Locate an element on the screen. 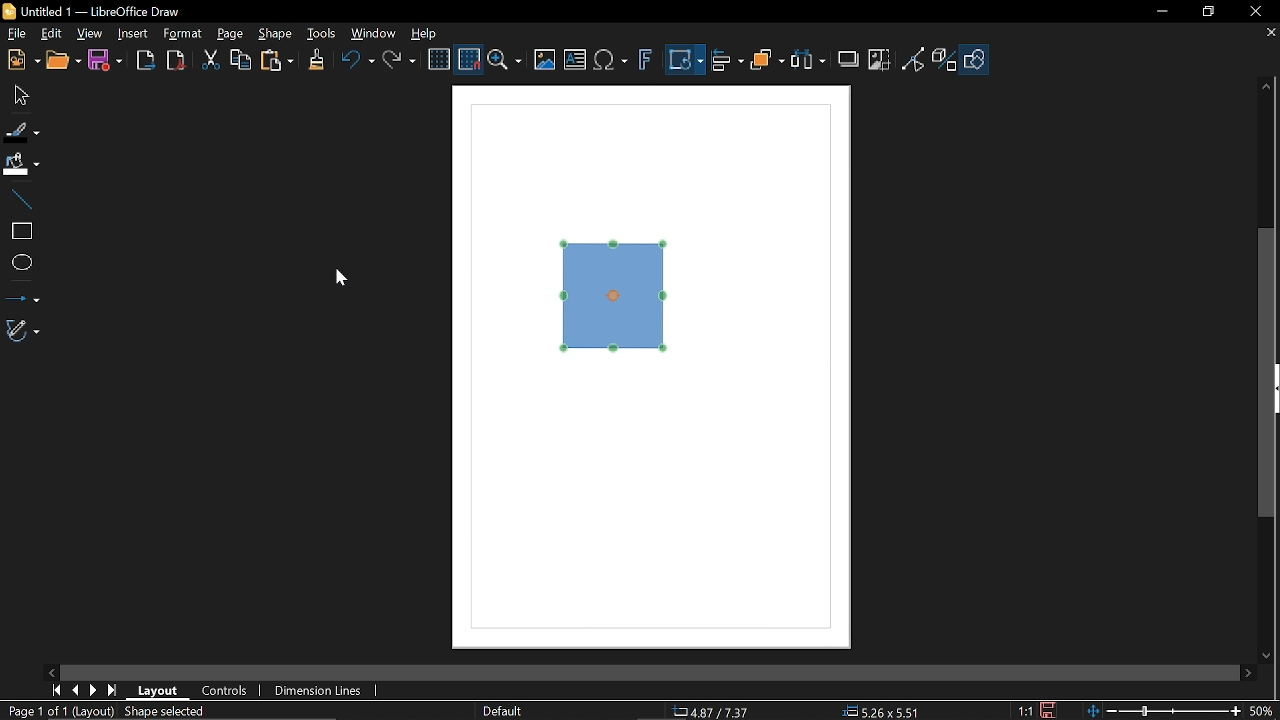  Paste is located at coordinates (276, 63).